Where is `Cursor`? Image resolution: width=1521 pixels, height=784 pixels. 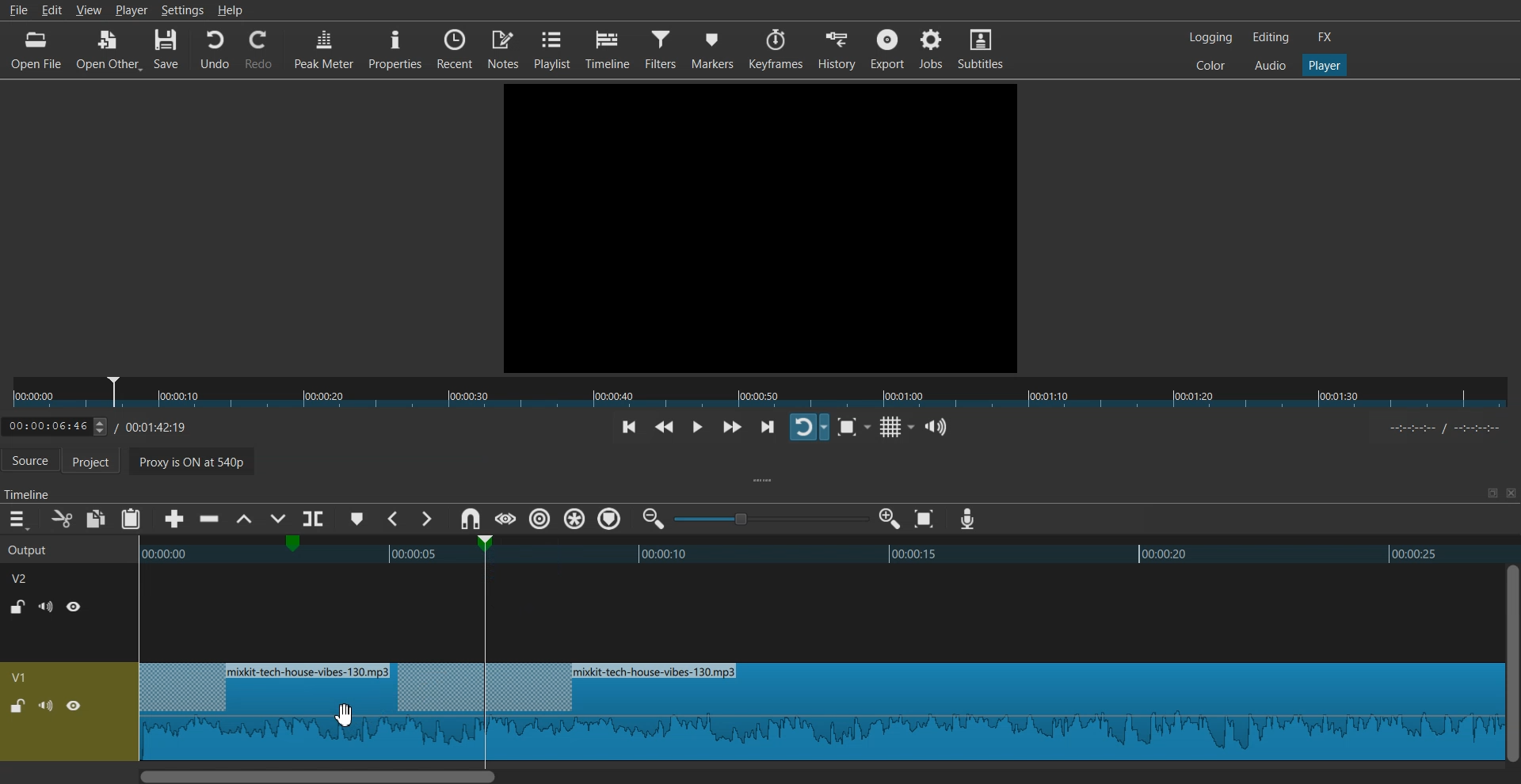
Cursor is located at coordinates (348, 714).